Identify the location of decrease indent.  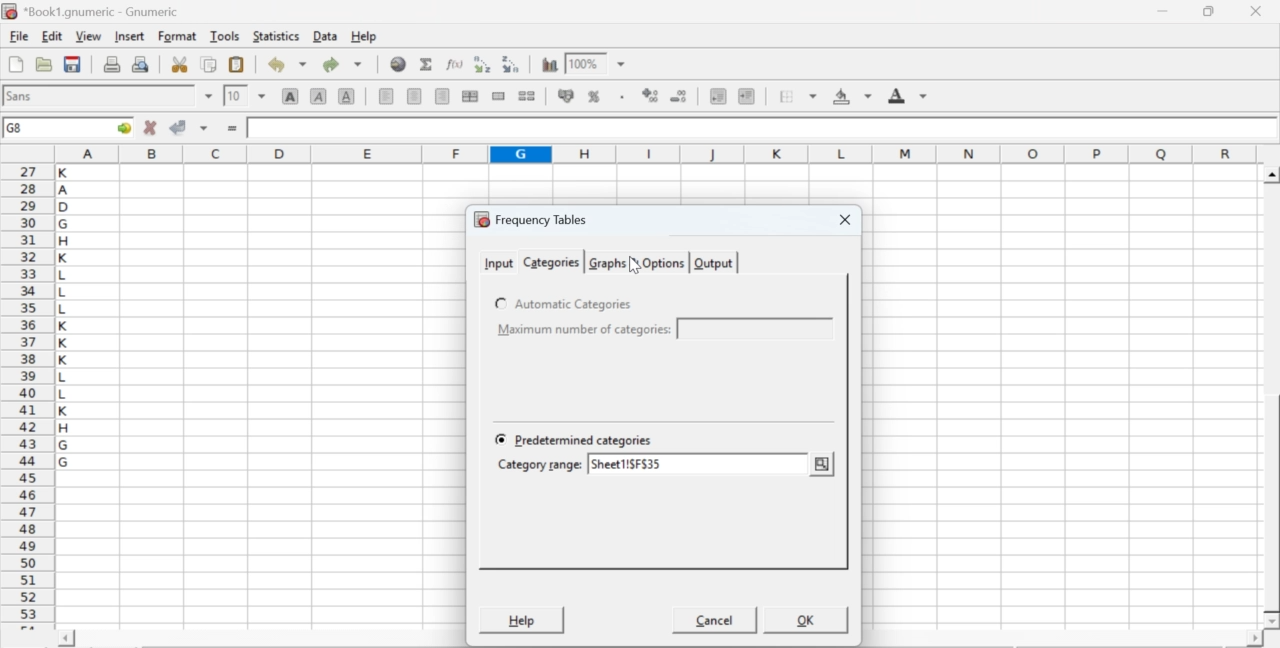
(718, 95).